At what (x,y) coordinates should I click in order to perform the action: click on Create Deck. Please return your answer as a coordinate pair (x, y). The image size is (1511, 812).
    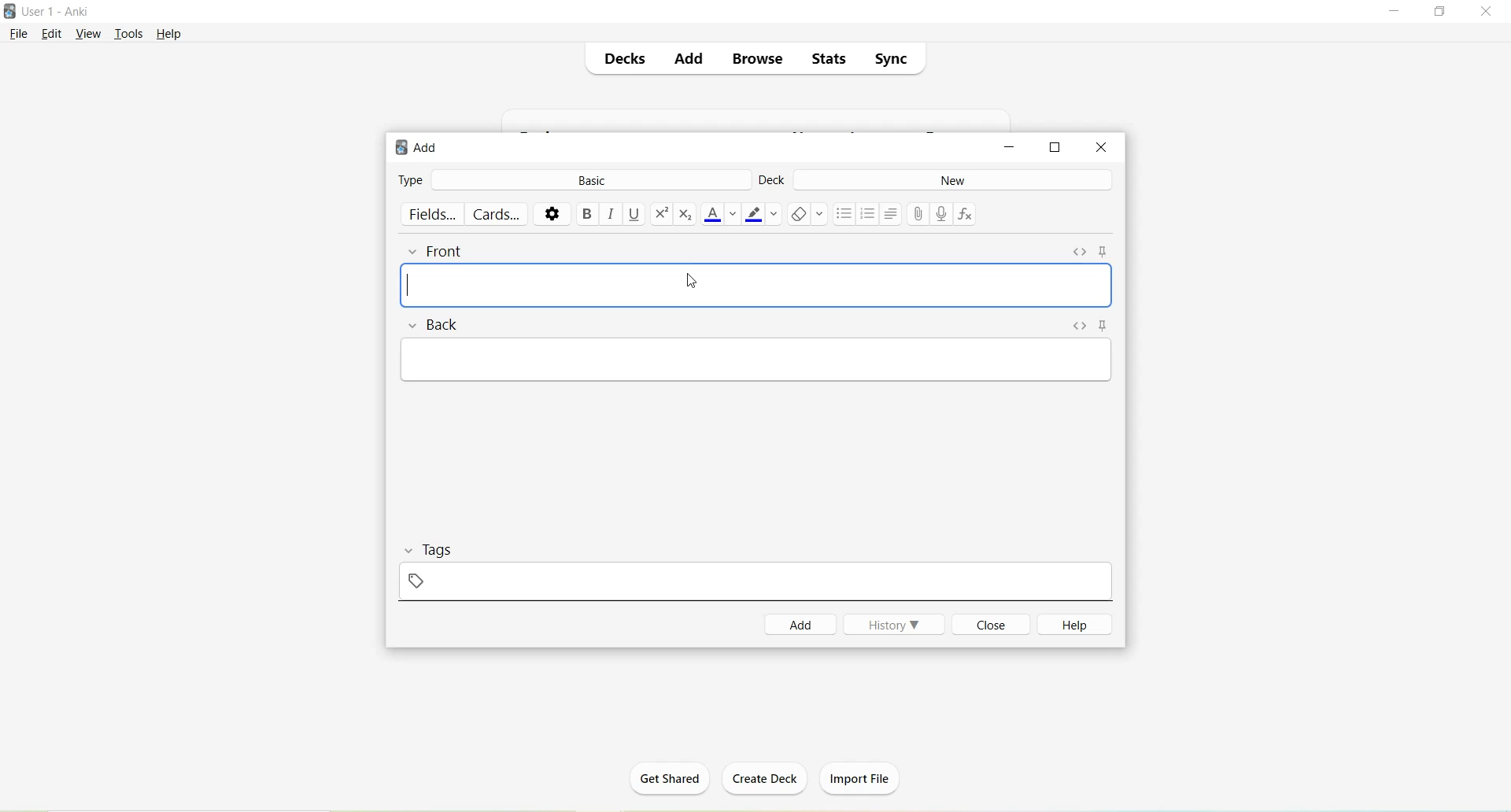
    Looking at the image, I should click on (759, 778).